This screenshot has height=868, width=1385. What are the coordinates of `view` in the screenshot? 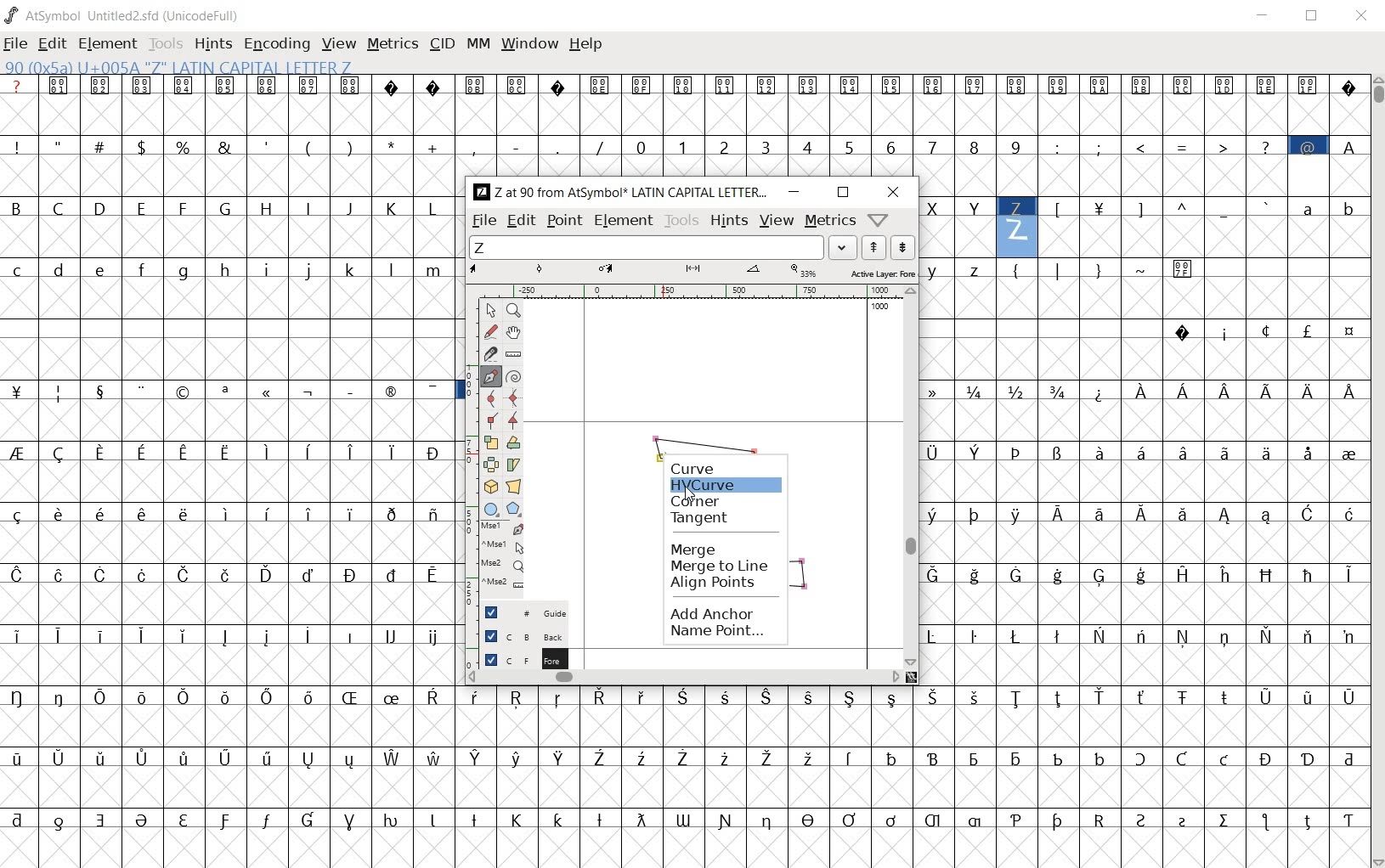 It's located at (776, 222).